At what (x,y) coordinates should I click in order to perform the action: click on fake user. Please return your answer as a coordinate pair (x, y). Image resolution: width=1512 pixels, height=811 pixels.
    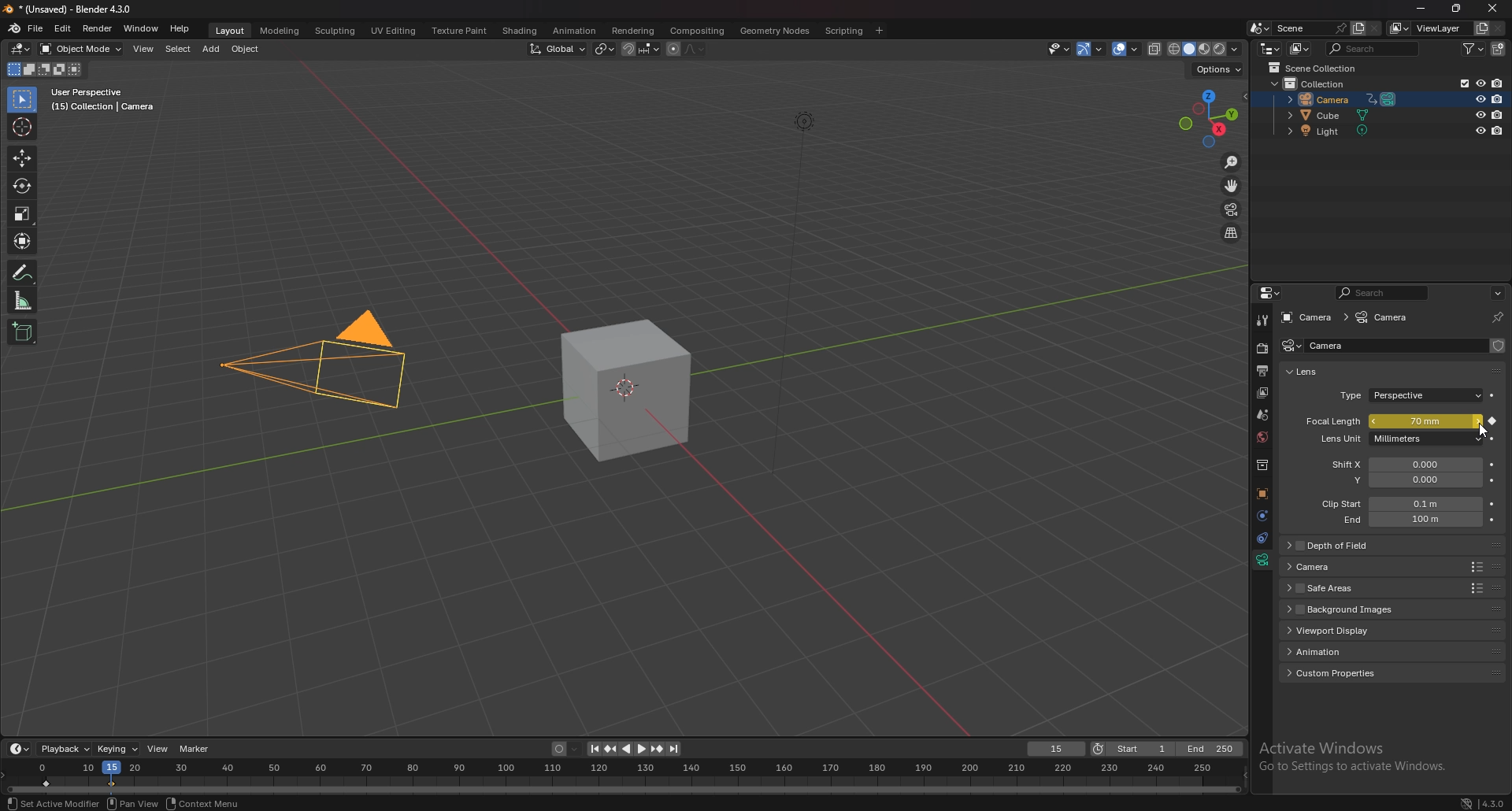
    Looking at the image, I should click on (1498, 345).